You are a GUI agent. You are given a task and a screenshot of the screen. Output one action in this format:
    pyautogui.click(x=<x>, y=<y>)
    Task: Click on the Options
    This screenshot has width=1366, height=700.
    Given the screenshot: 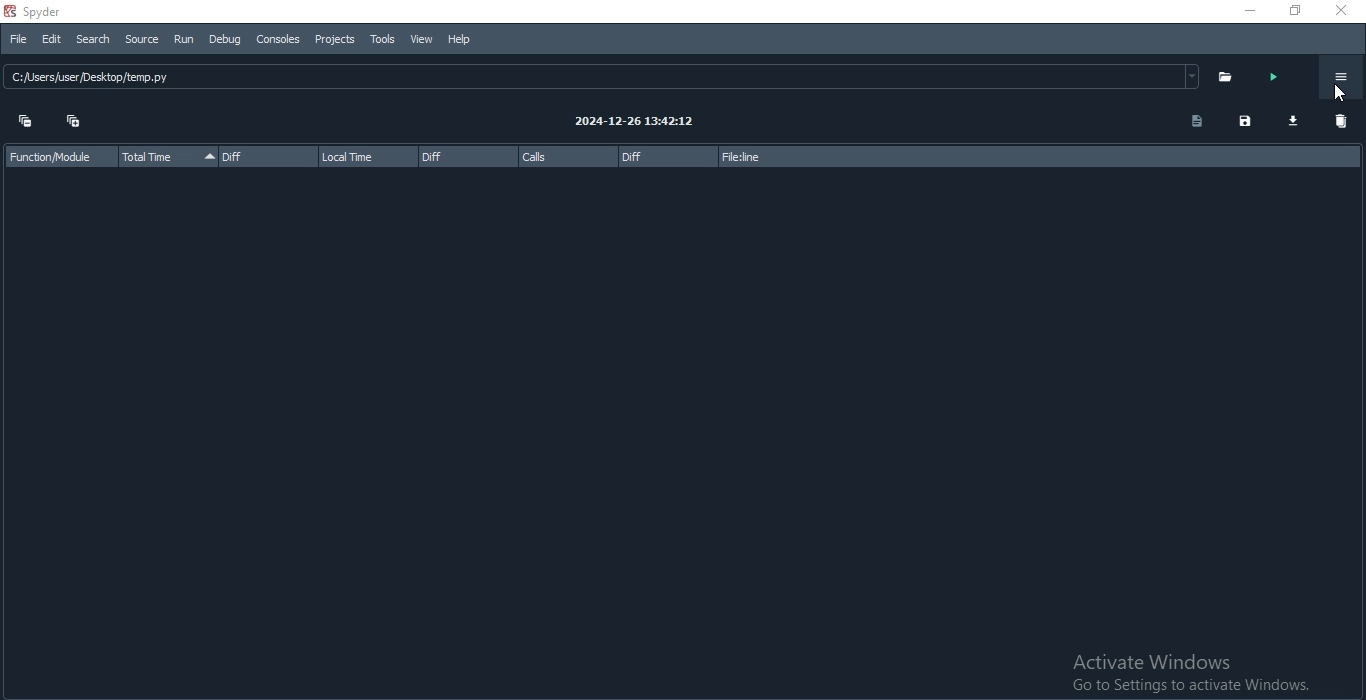 What is the action you would take?
    pyautogui.click(x=1342, y=77)
    